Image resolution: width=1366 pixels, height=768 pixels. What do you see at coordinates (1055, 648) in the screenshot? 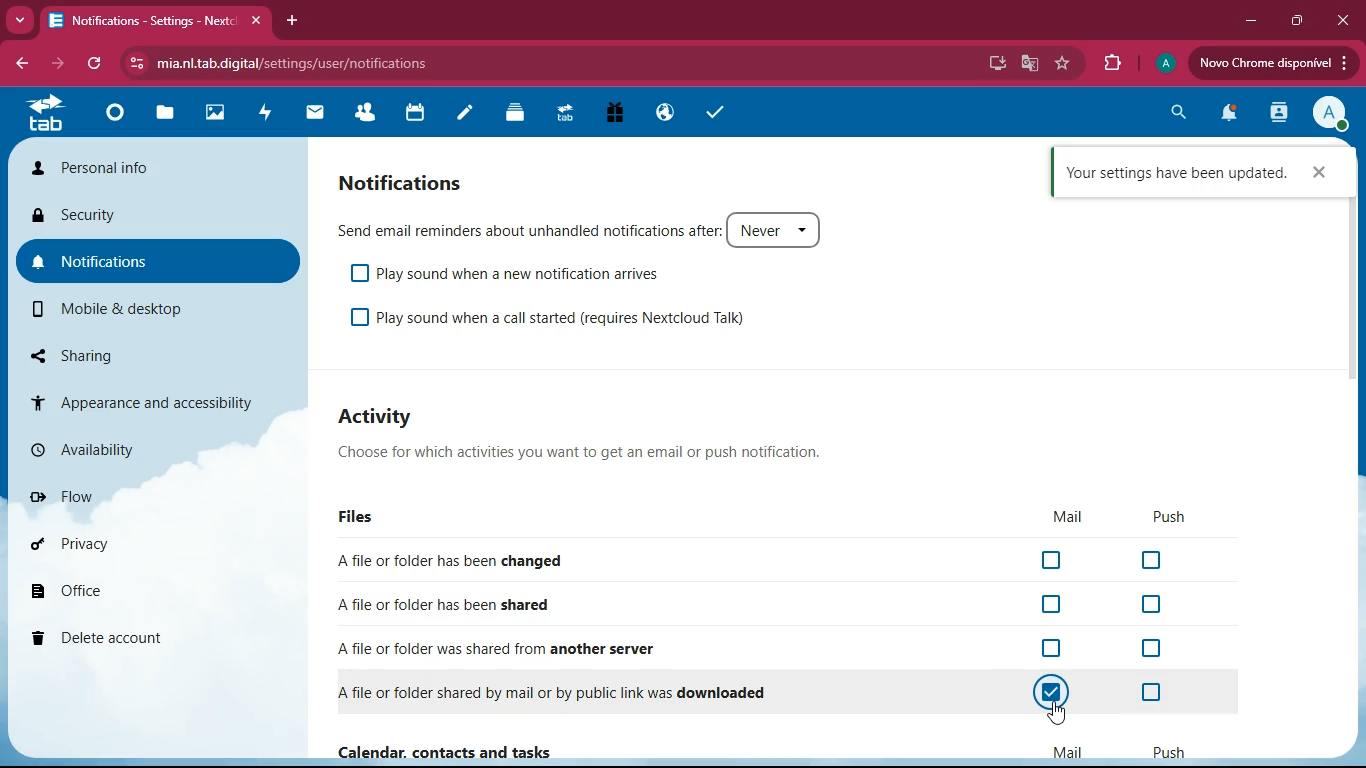
I see `off` at bounding box center [1055, 648].